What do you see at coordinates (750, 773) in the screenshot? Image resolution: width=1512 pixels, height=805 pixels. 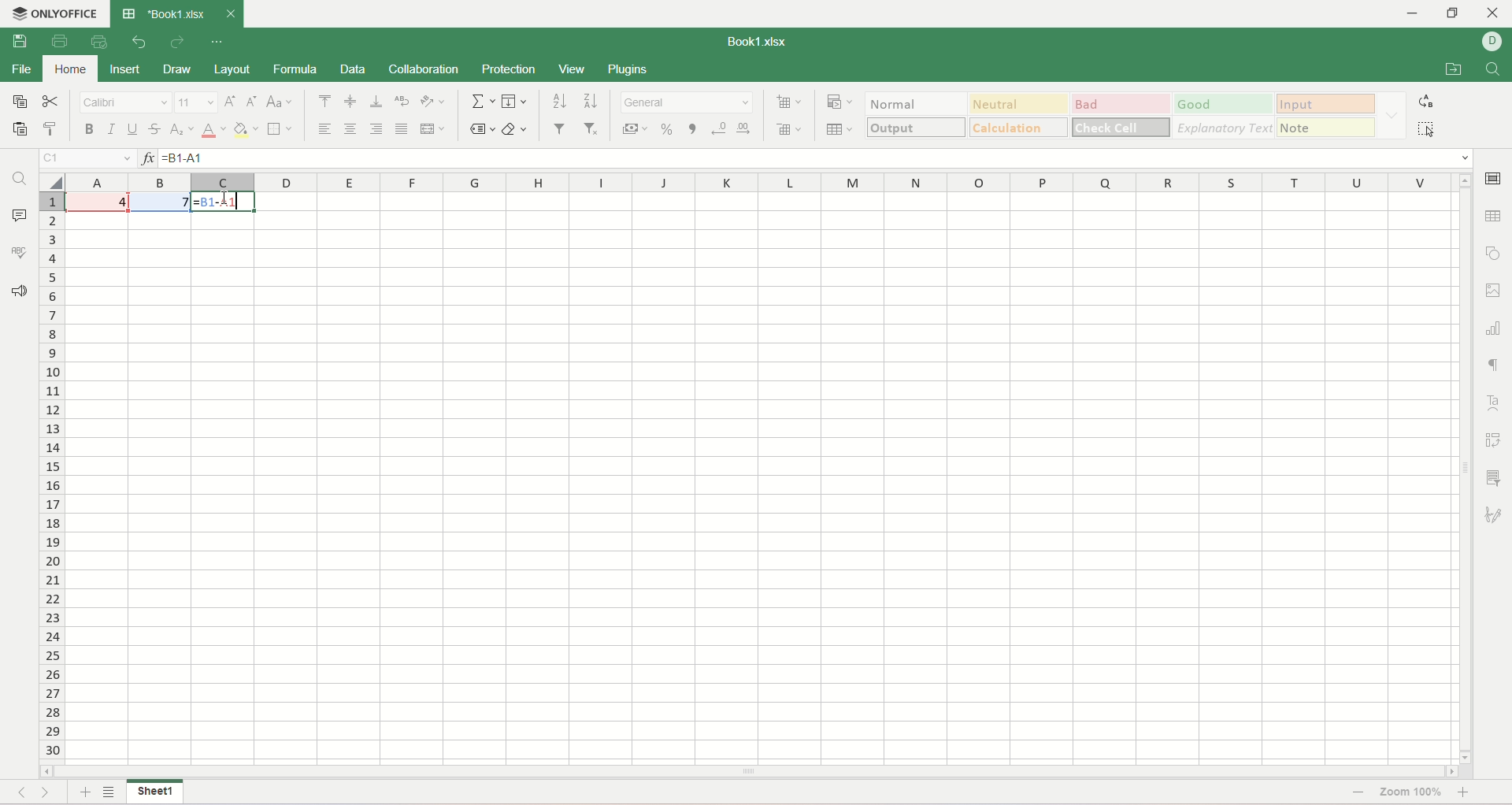 I see `horiontal scroll` at bounding box center [750, 773].